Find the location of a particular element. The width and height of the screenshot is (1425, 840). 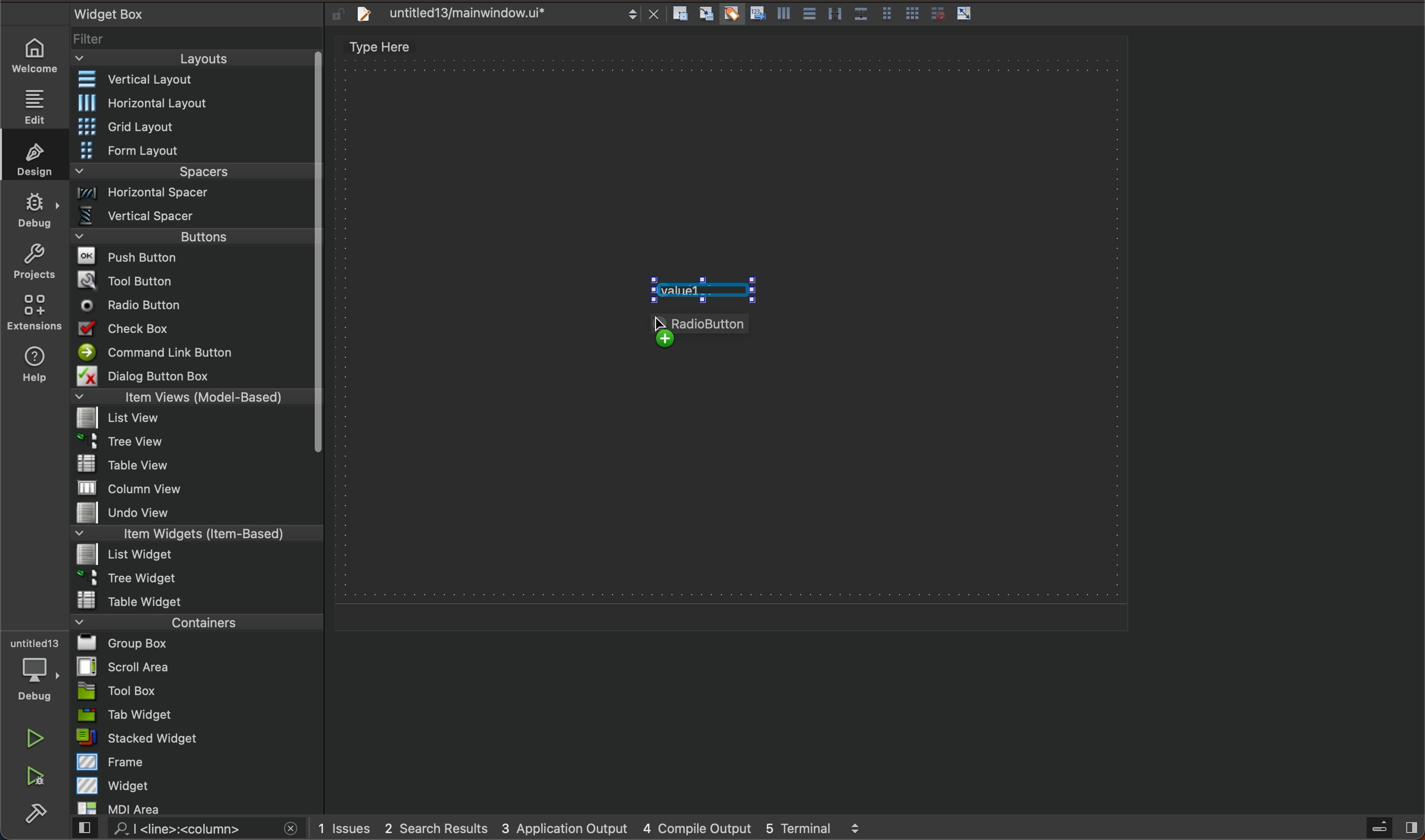

cursor is located at coordinates (672, 323).